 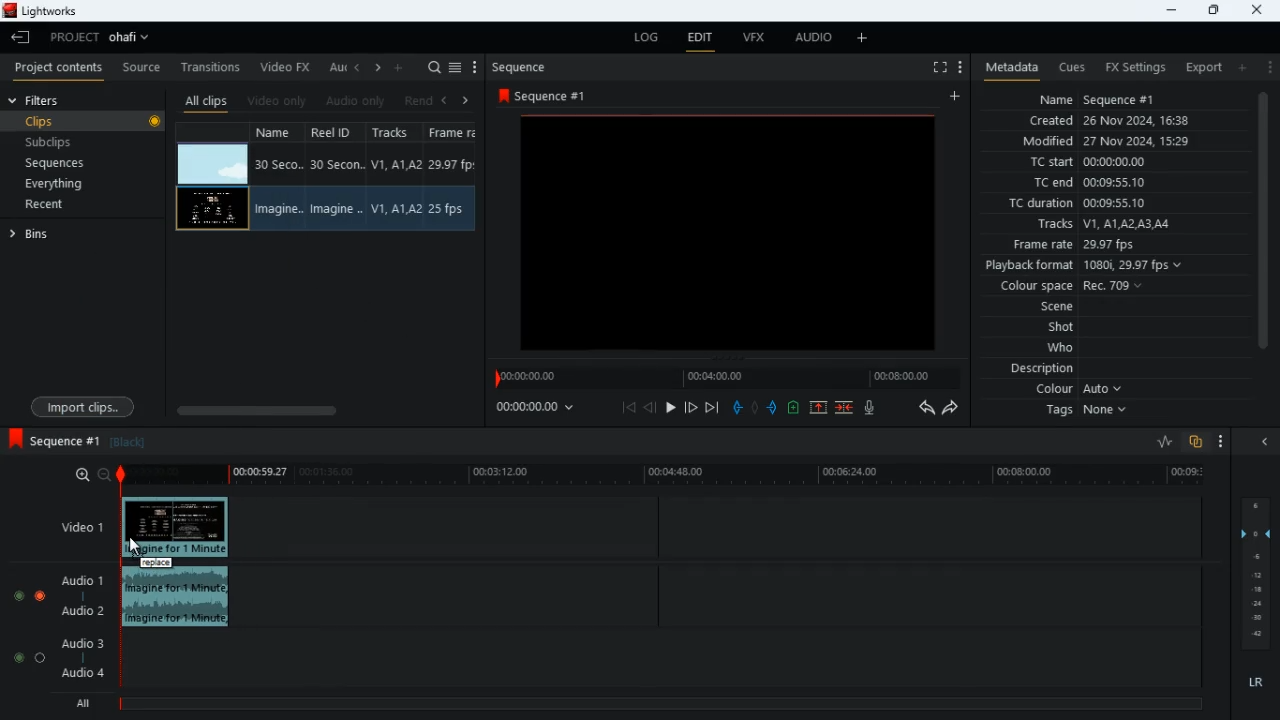 I want to click on front, so click(x=692, y=407).